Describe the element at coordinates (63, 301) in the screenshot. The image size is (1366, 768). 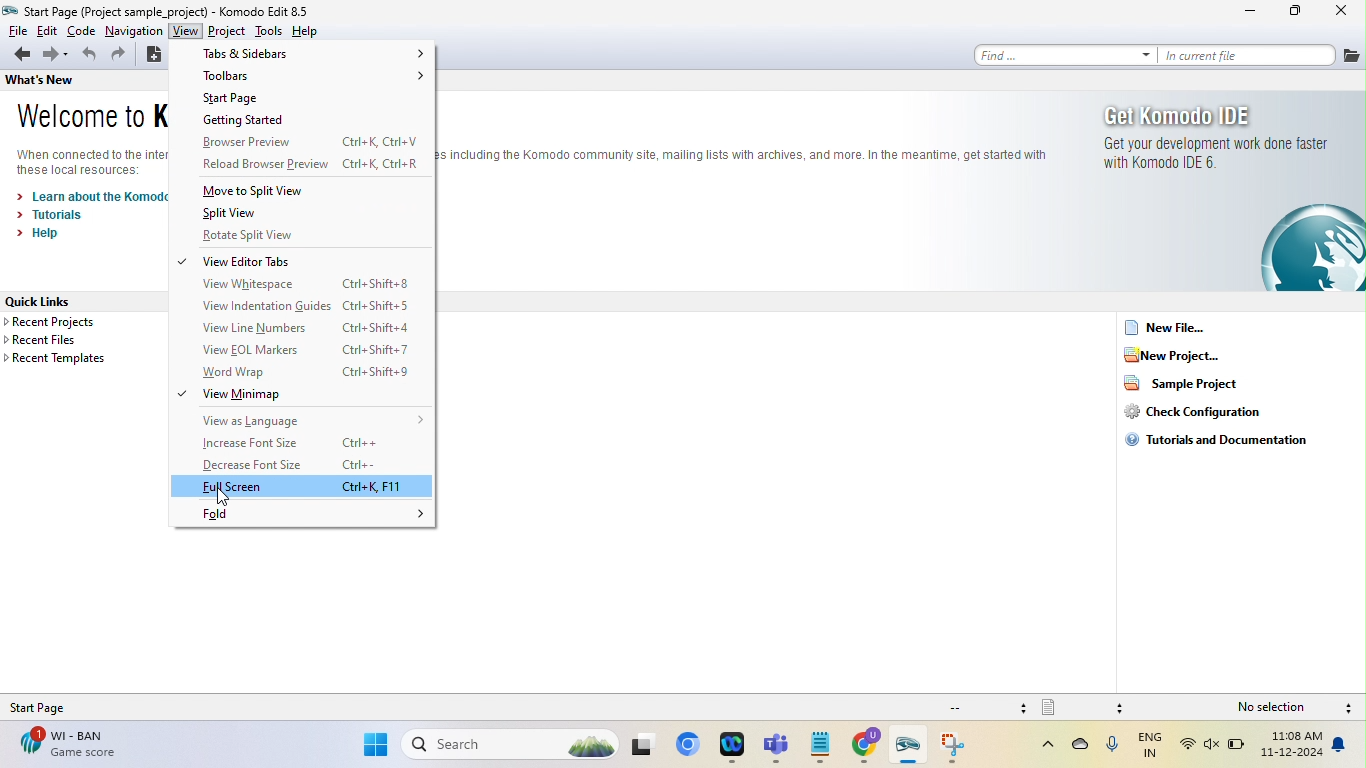
I see `quick links` at that location.